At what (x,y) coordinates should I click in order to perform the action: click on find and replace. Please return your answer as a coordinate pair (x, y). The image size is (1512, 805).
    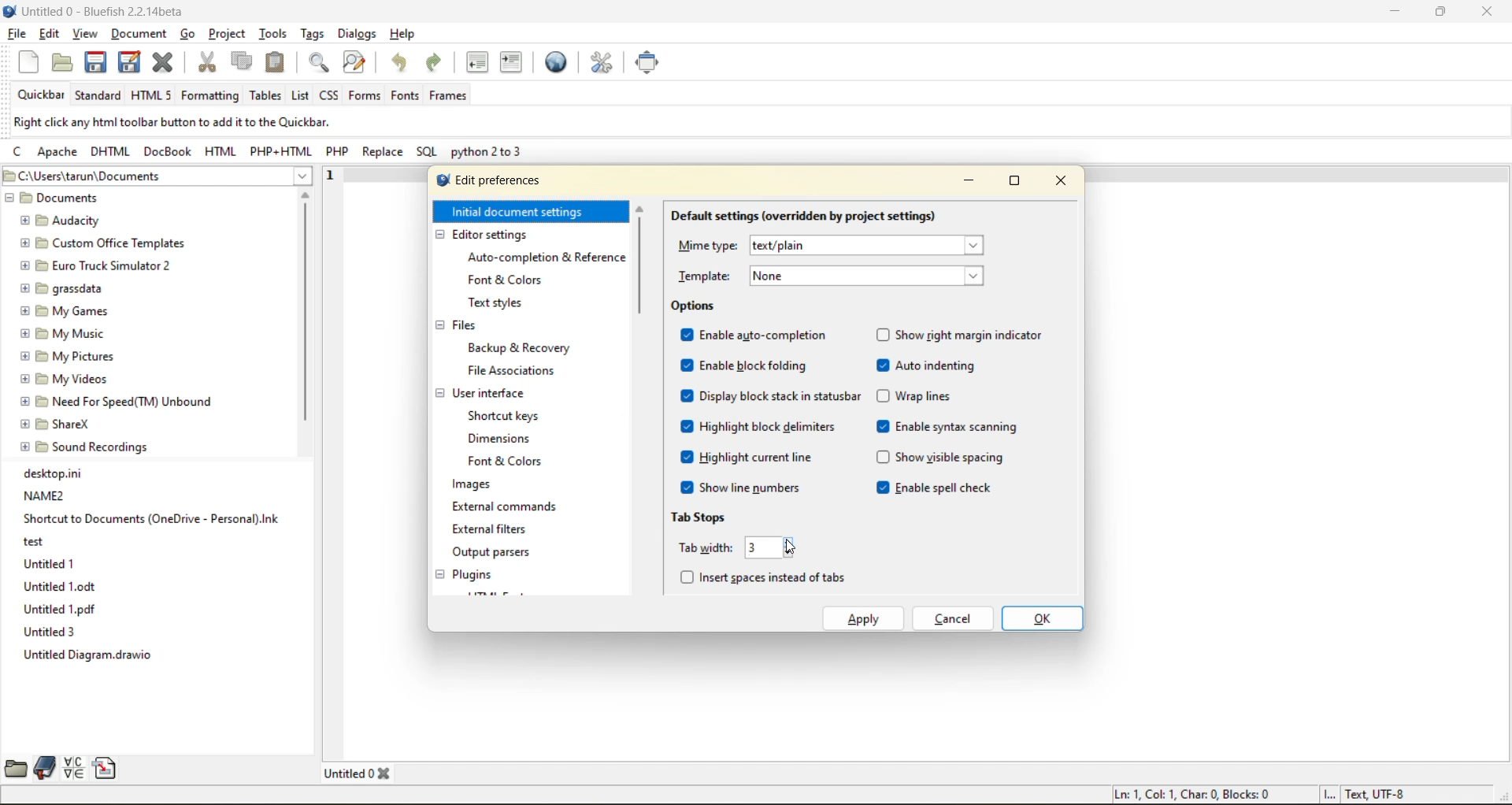
    Looking at the image, I should click on (355, 63).